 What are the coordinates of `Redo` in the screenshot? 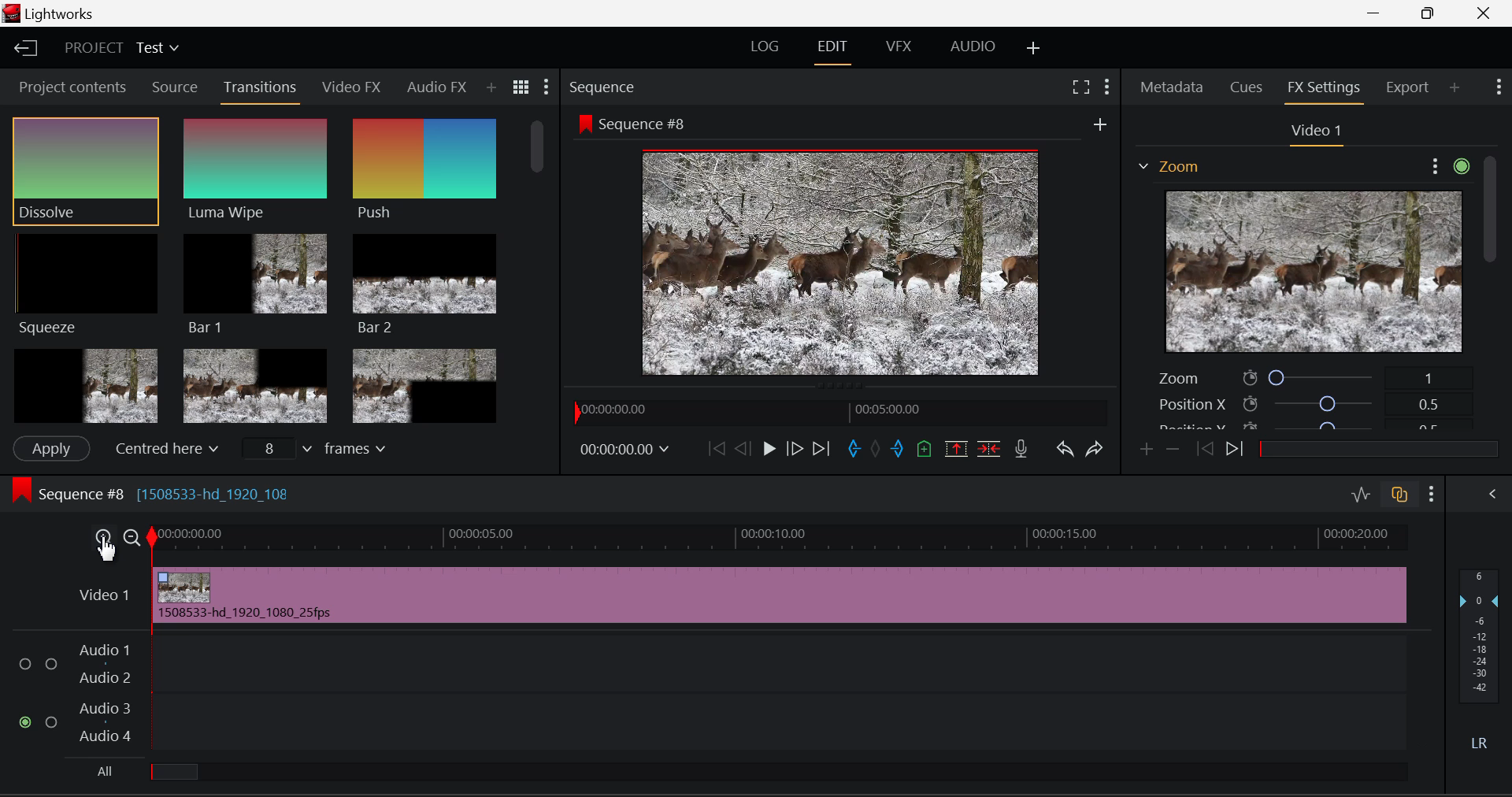 It's located at (1093, 447).